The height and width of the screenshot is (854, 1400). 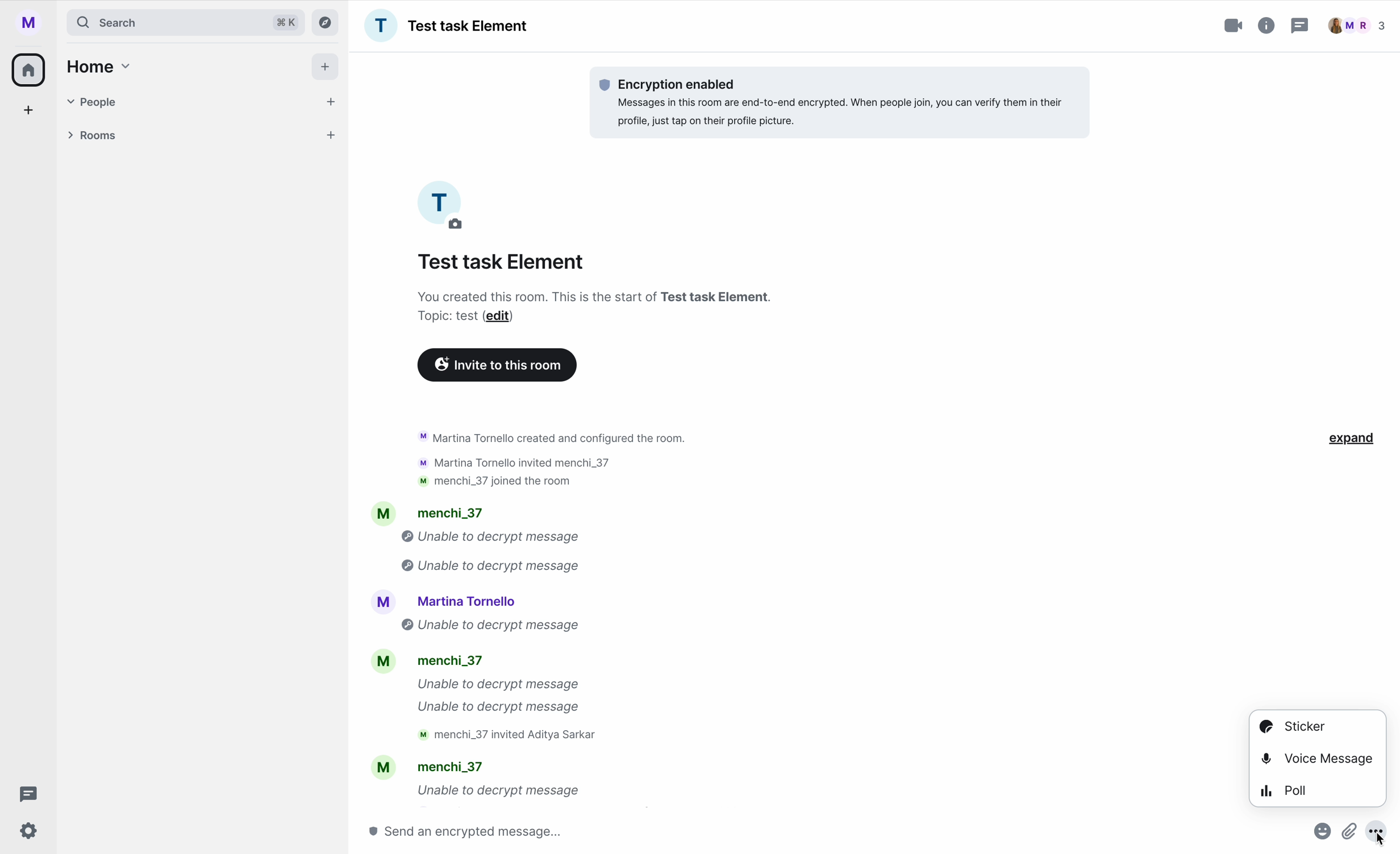 What do you see at coordinates (1267, 23) in the screenshot?
I see `information` at bounding box center [1267, 23].